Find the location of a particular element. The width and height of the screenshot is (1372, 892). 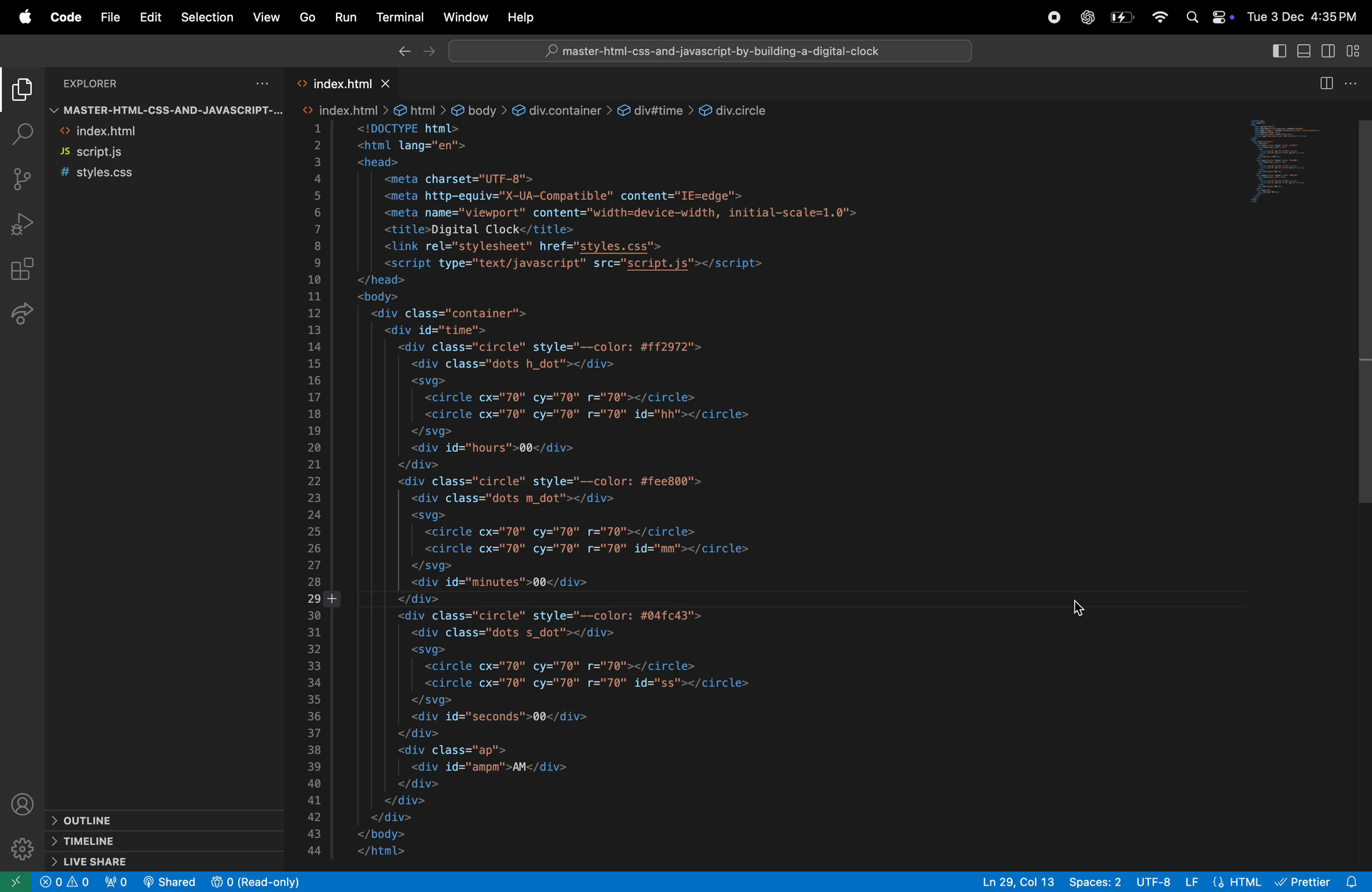

profile is located at coordinates (24, 803).